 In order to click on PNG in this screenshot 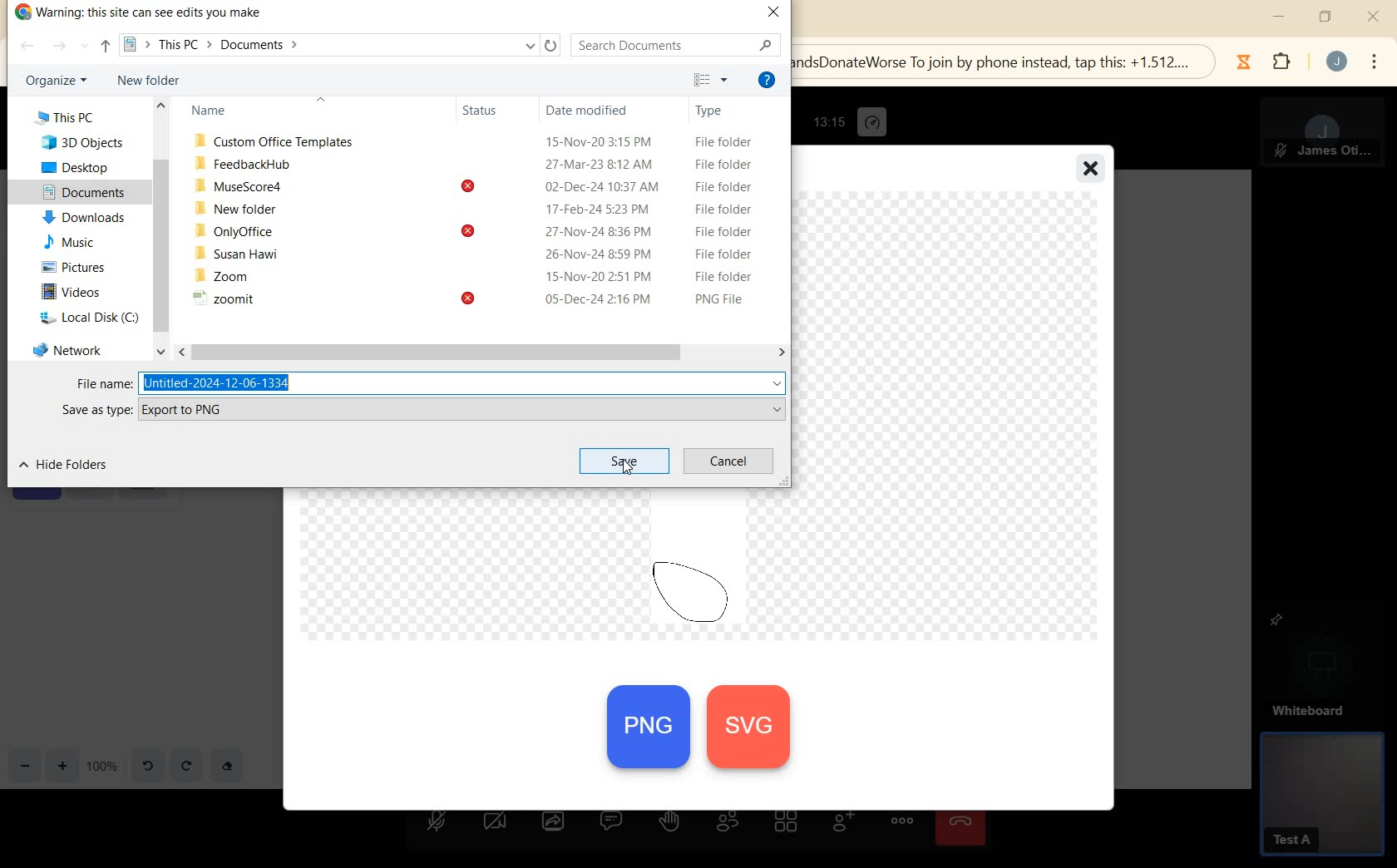, I will do `click(649, 732)`.